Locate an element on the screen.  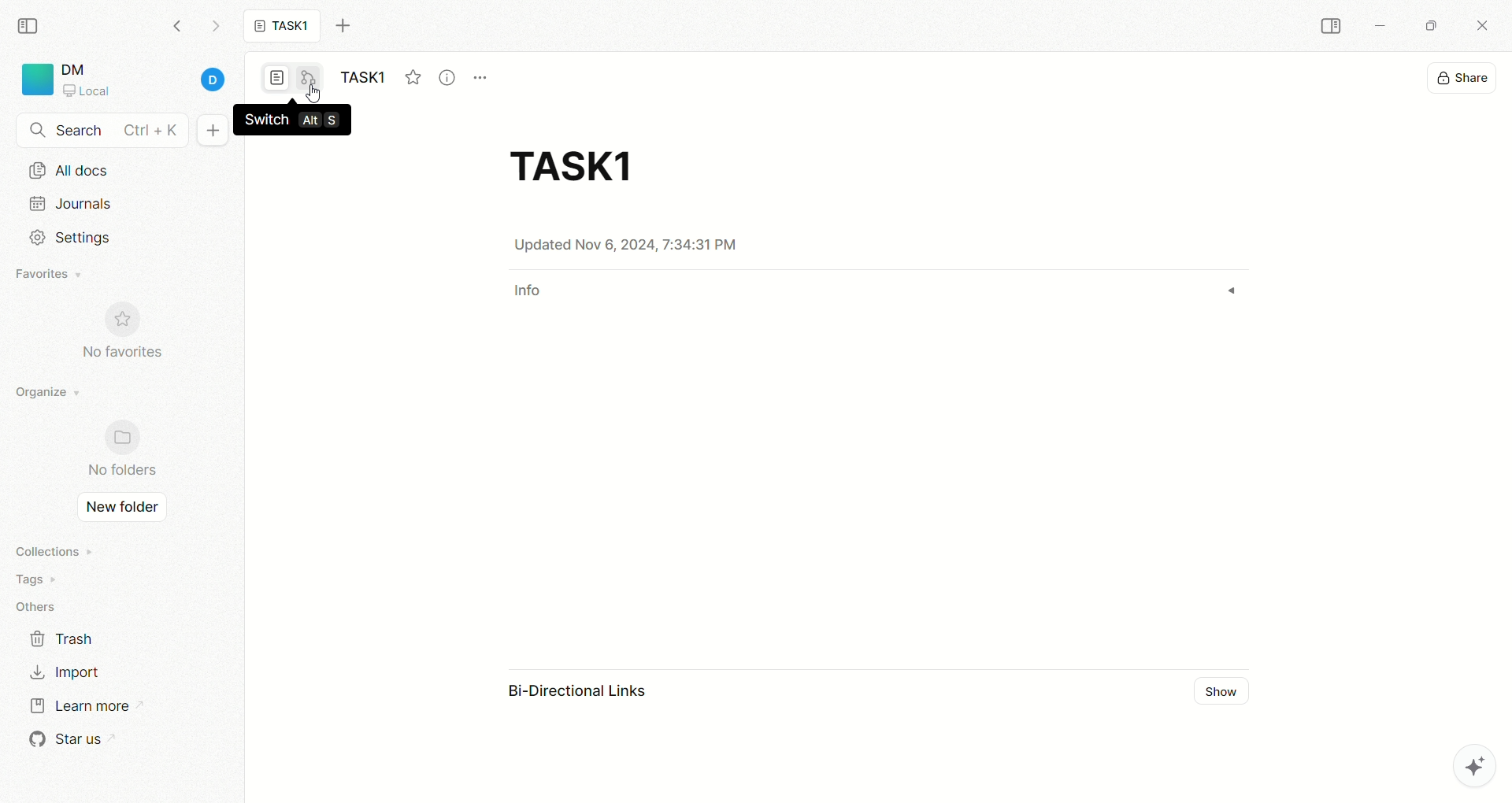
star us is located at coordinates (67, 739).